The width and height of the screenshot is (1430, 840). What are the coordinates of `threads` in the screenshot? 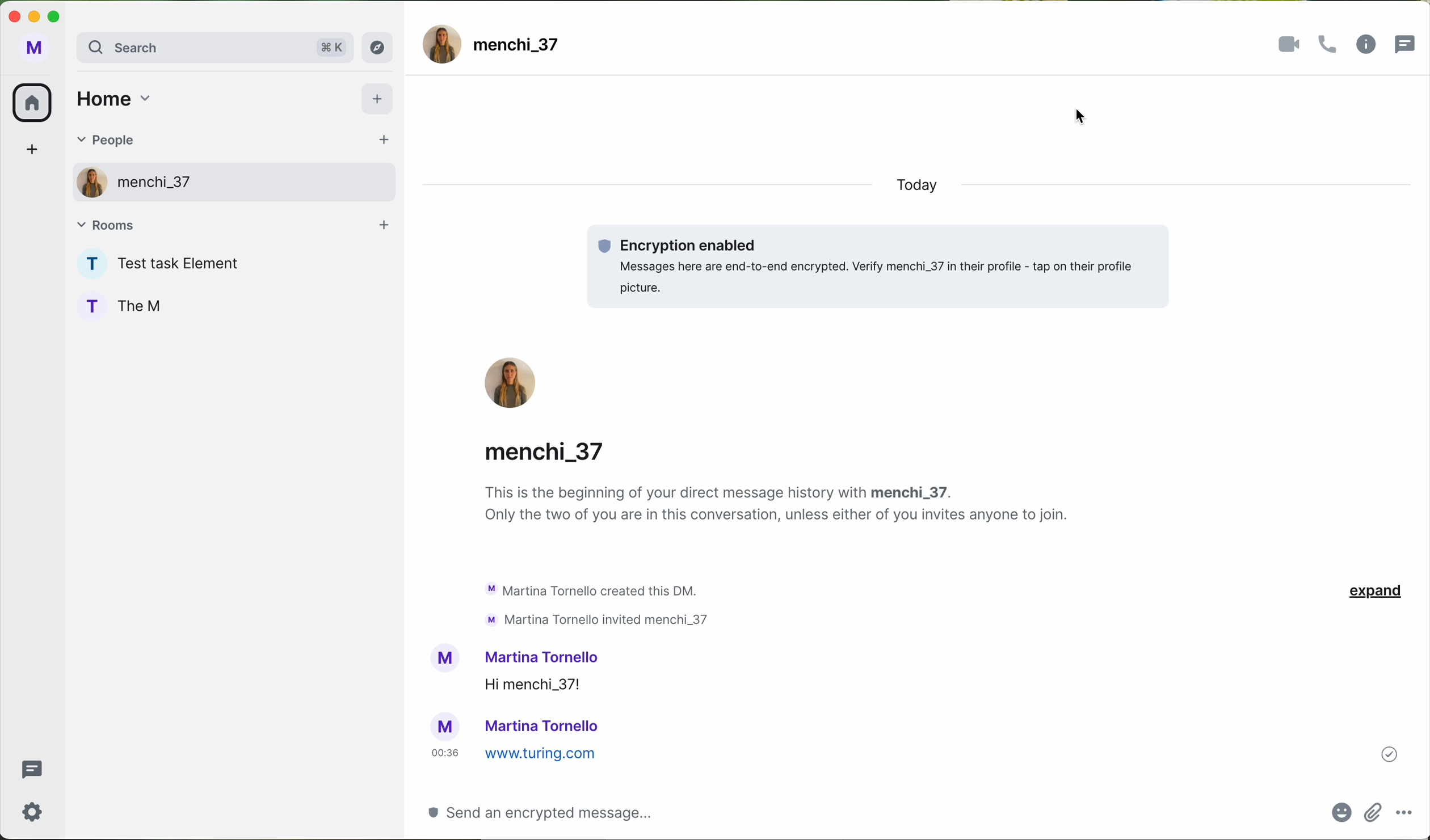 It's located at (1408, 42).